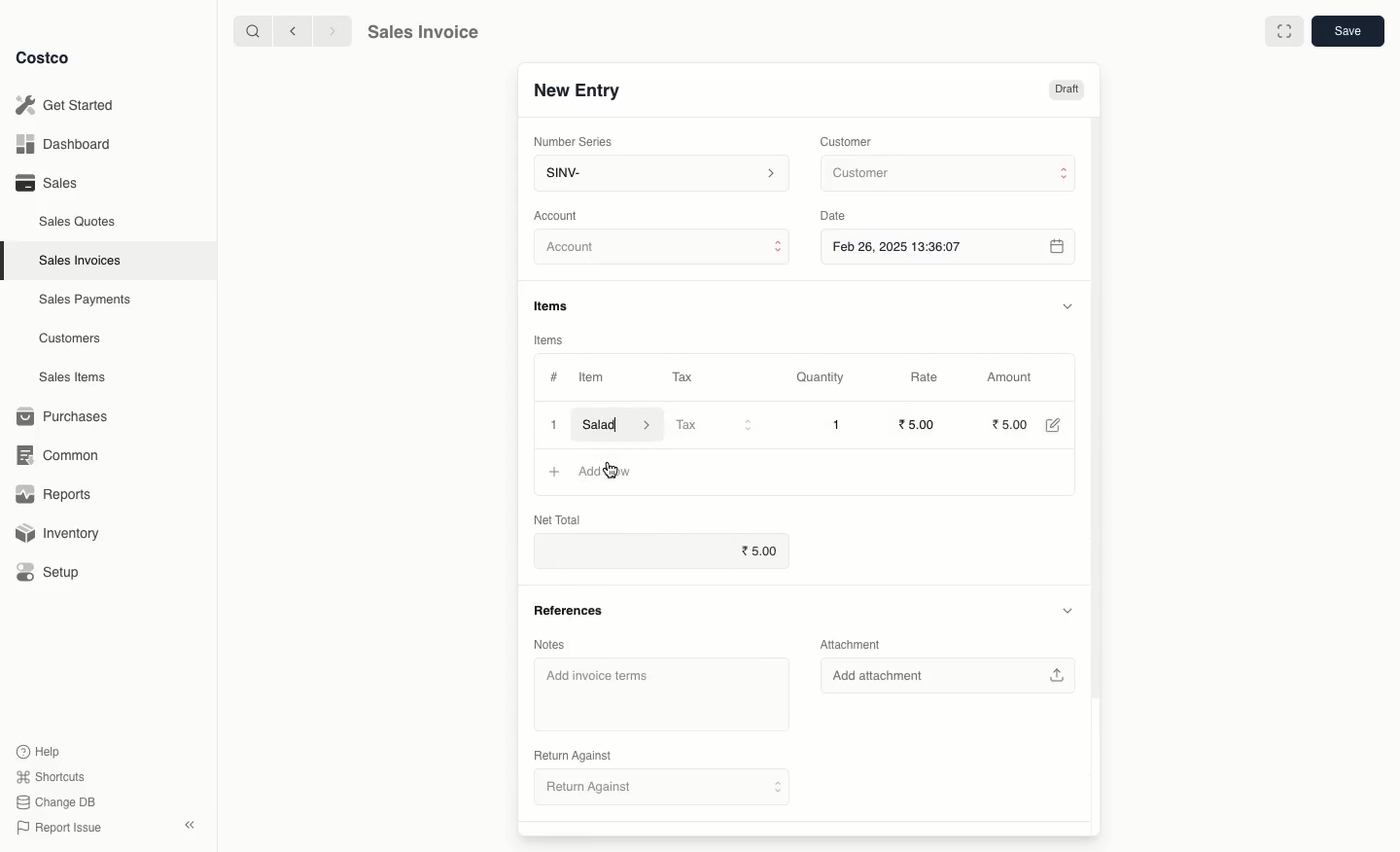 The width and height of the screenshot is (1400, 852). Describe the element at coordinates (946, 174) in the screenshot. I see `Customer` at that location.